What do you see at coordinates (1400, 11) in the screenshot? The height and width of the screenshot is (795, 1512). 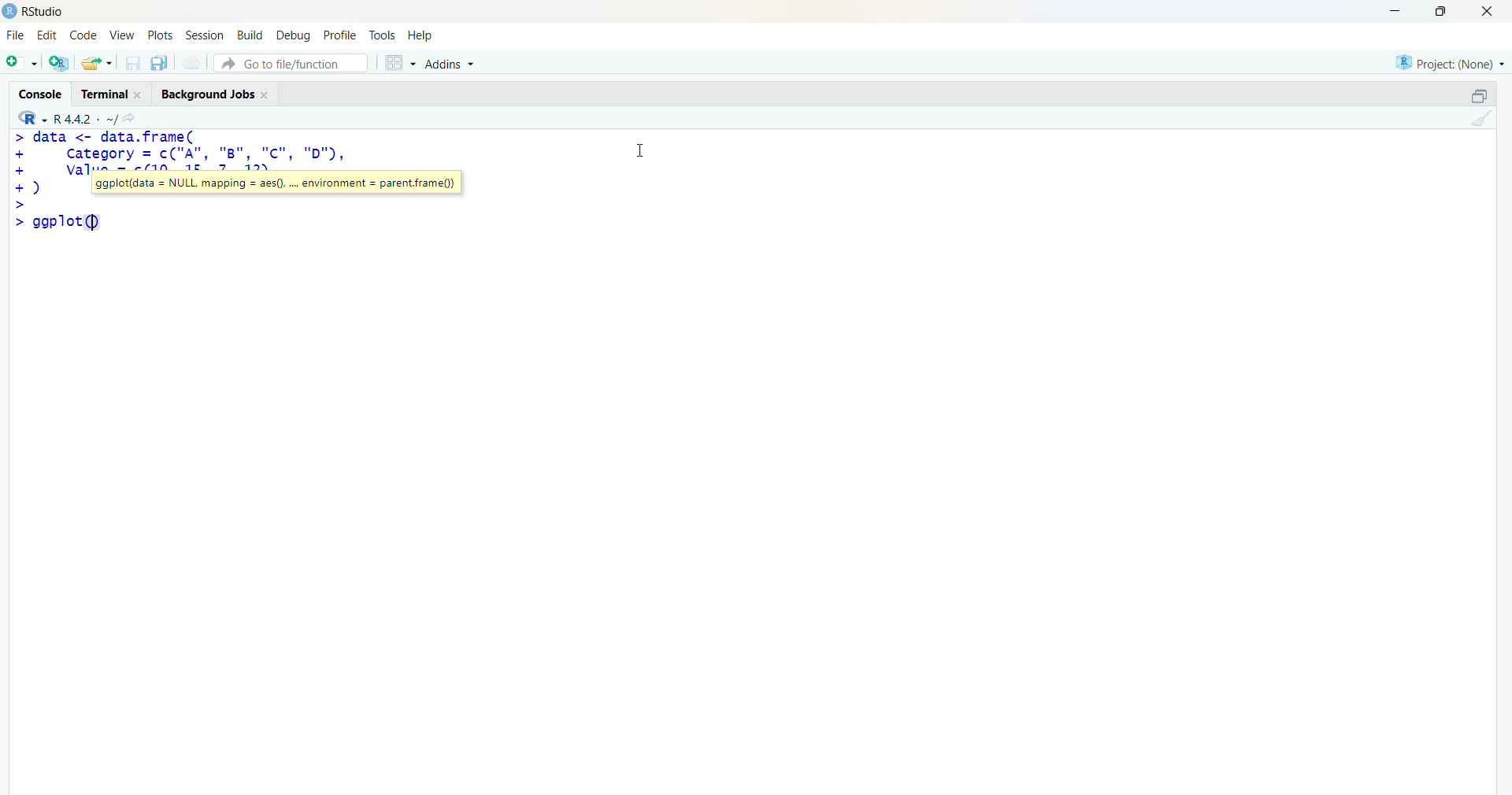 I see `minimize` at bounding box center [1400, 11].